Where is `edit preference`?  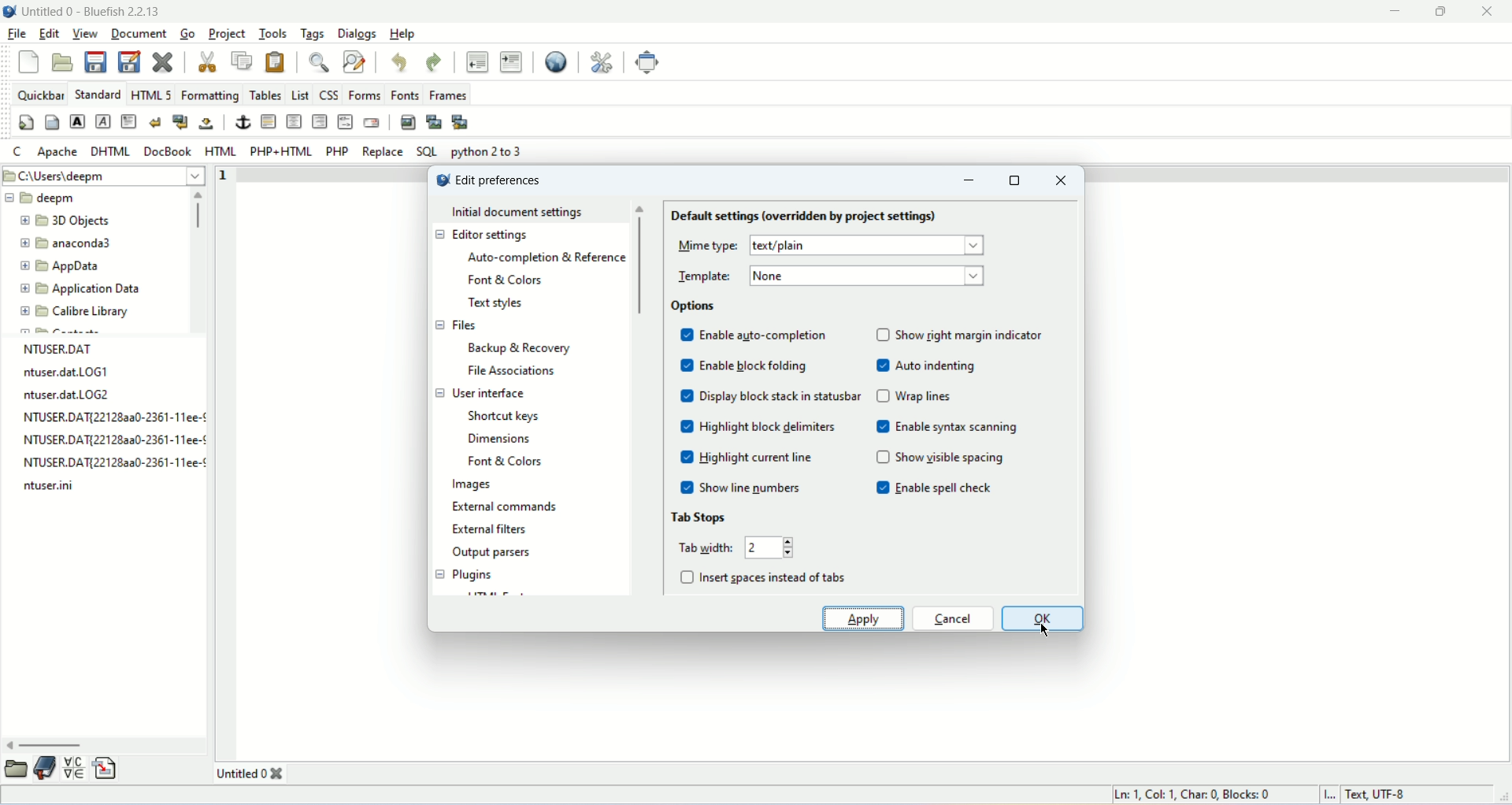
edit preference is located at coordinates (500, 183).